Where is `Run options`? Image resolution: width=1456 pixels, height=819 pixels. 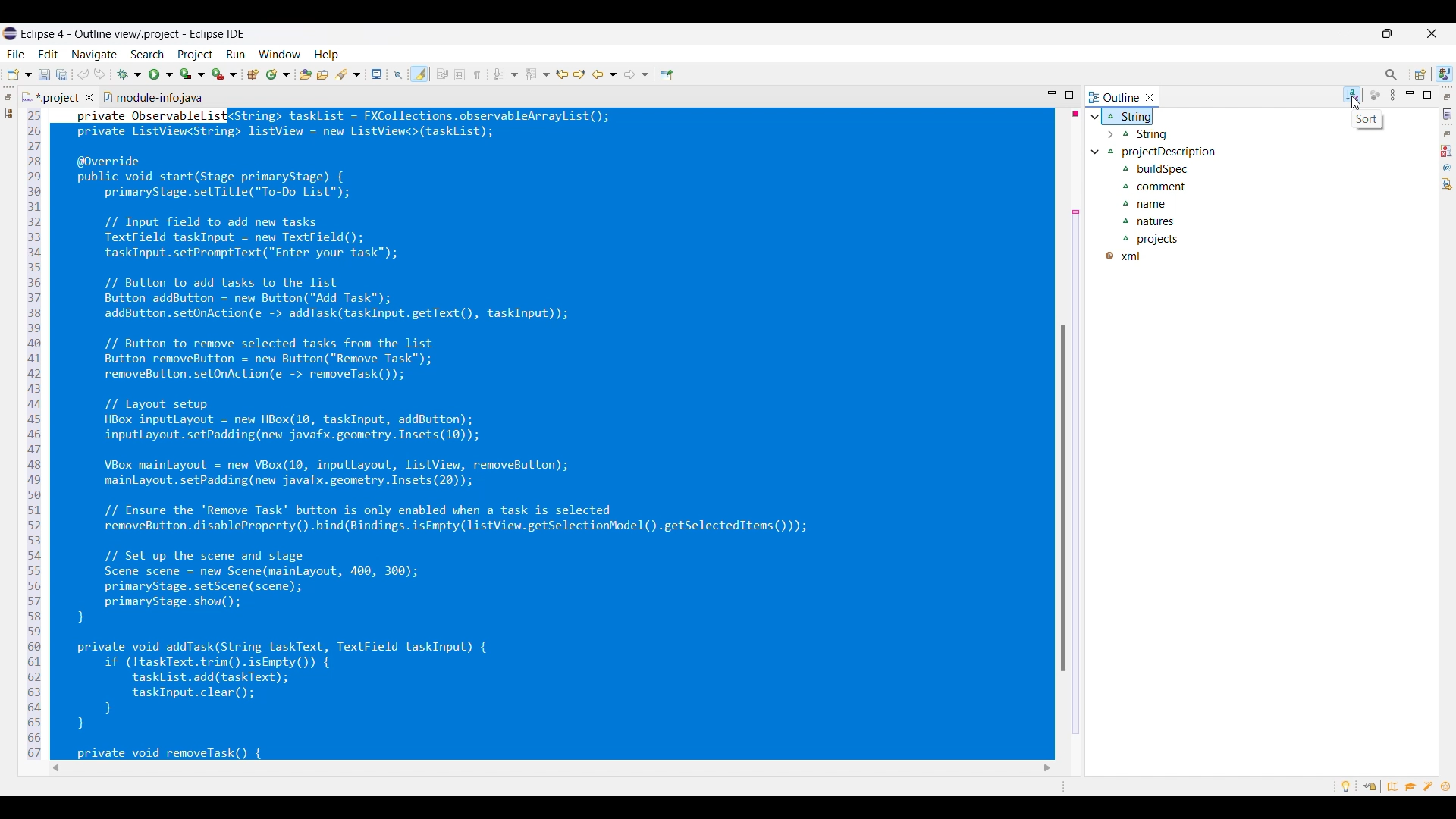
Run options is located at coordinates (162, 74).